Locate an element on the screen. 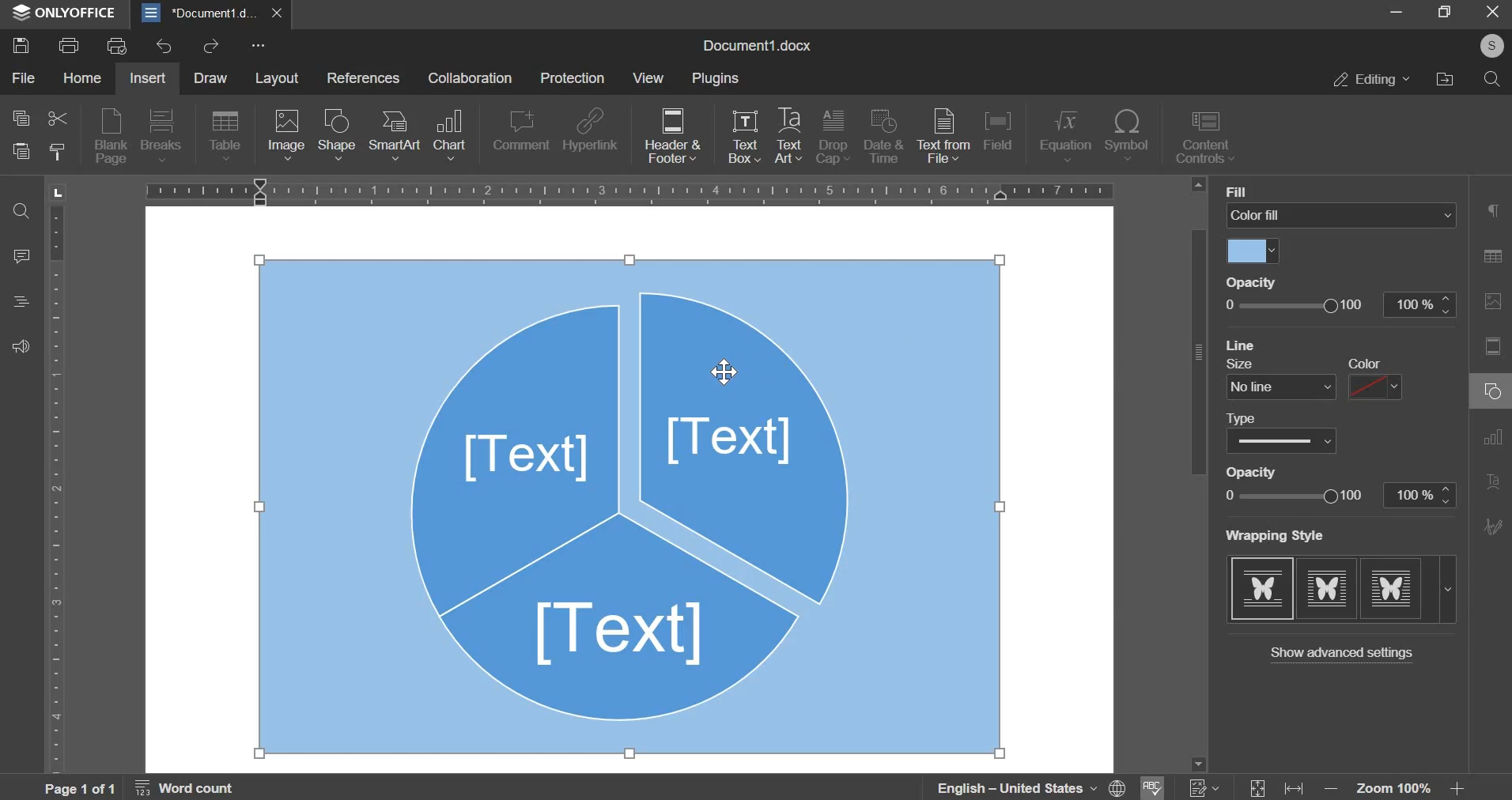  vertical scale is located at coordinates (57, 483).